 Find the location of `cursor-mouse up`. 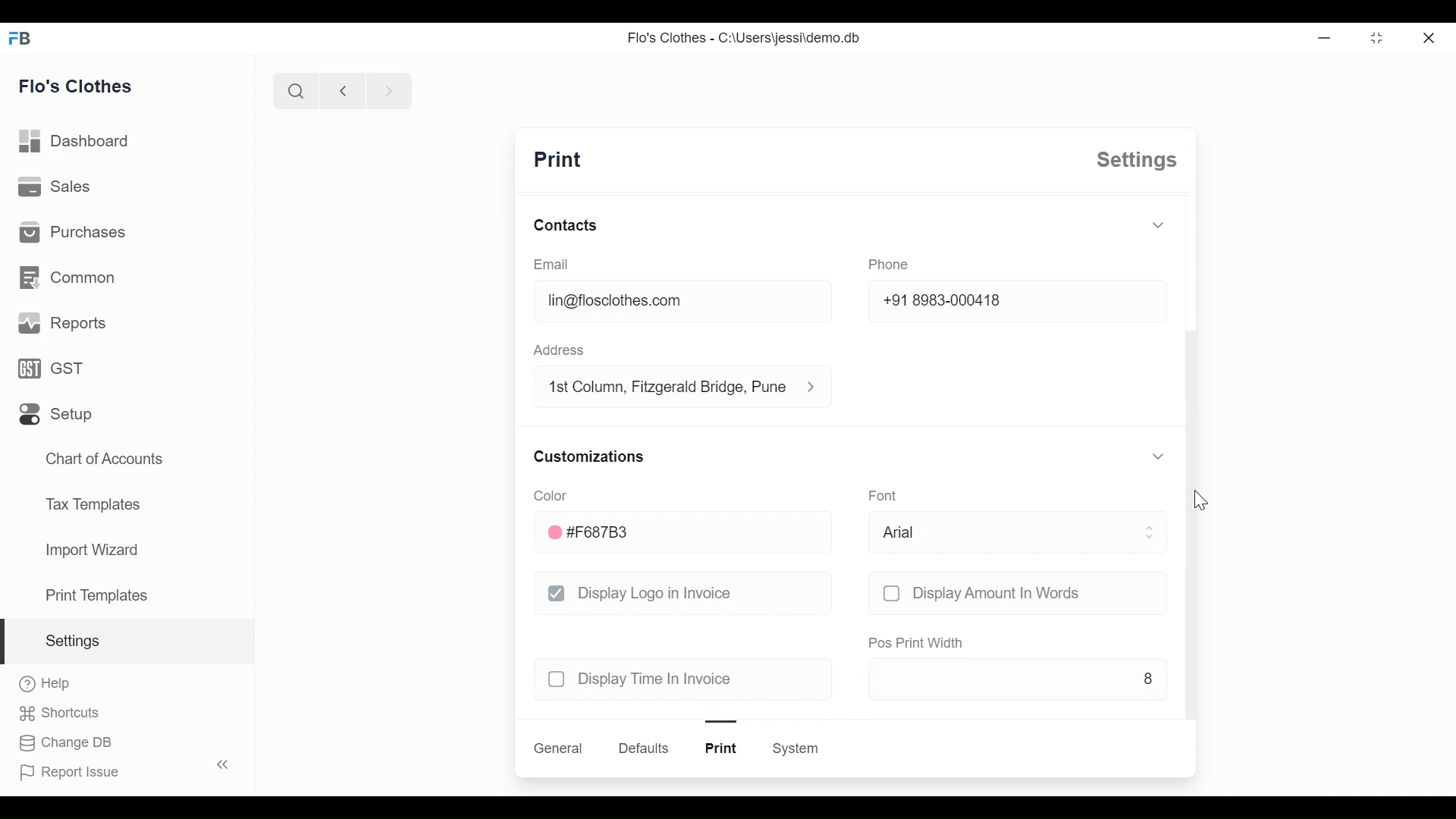

cursor-mouse up is located at coordinates (1200, 500).